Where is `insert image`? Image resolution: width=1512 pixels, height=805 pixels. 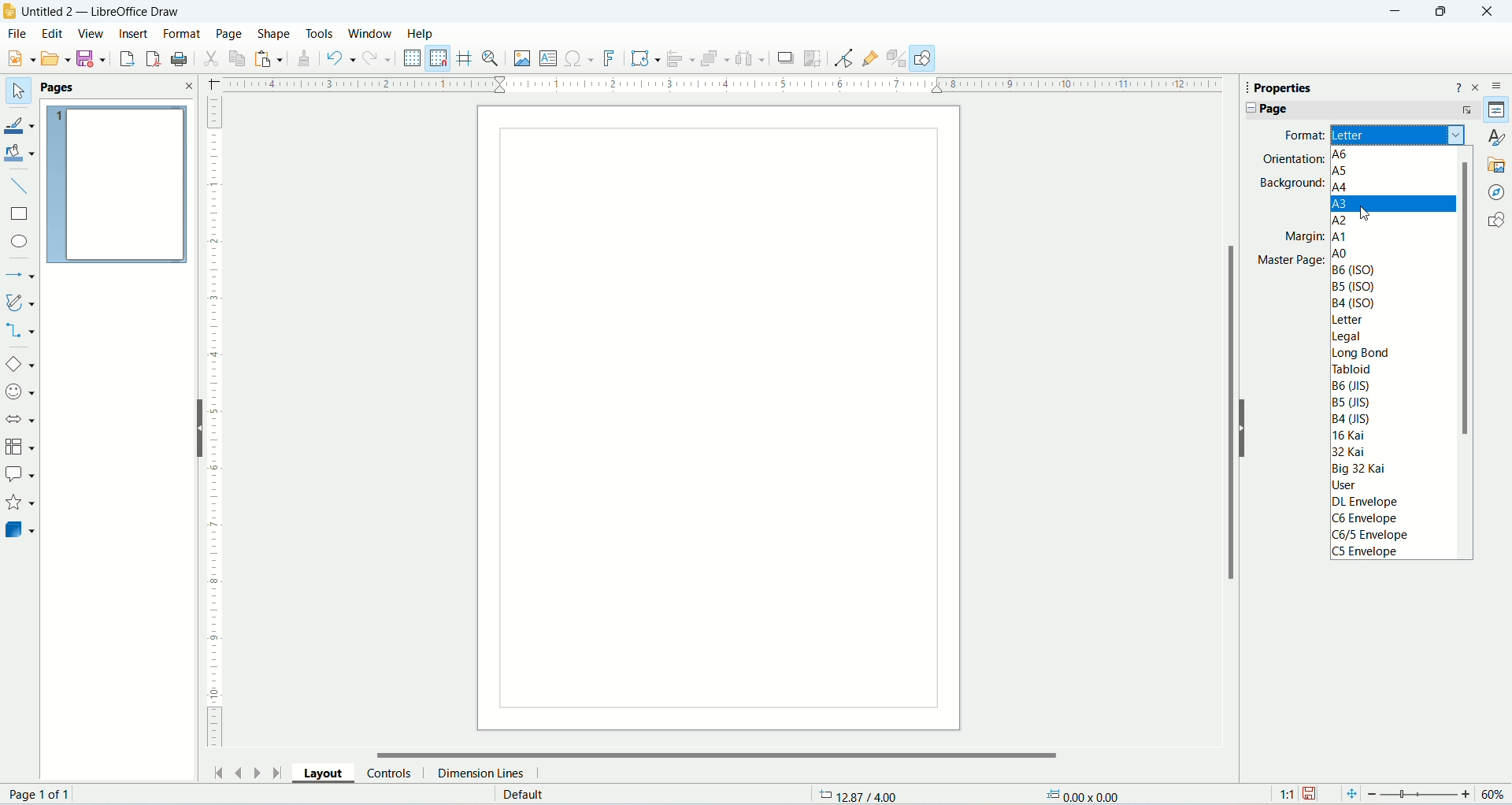 insert image is located at coordinates (524, 60).